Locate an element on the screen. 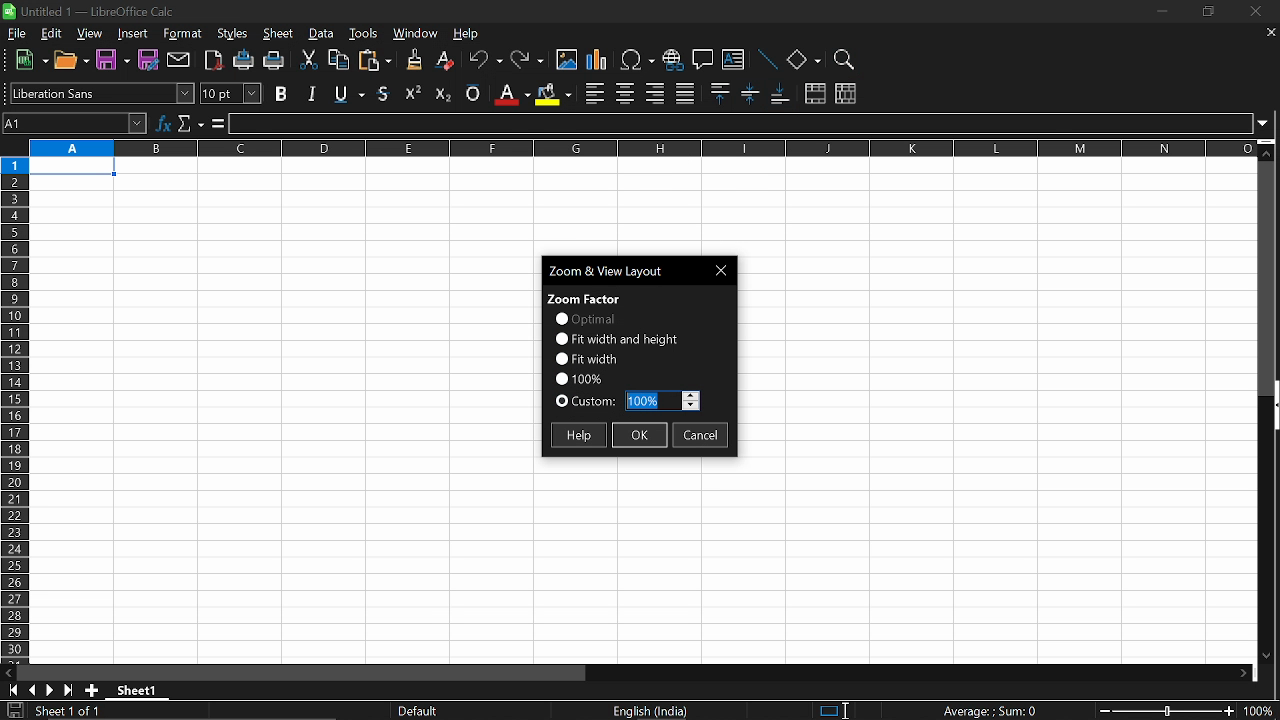 Image resolution: width=1280 pixels, height=720 pixels. print directly is located at coordinates (244, 62).